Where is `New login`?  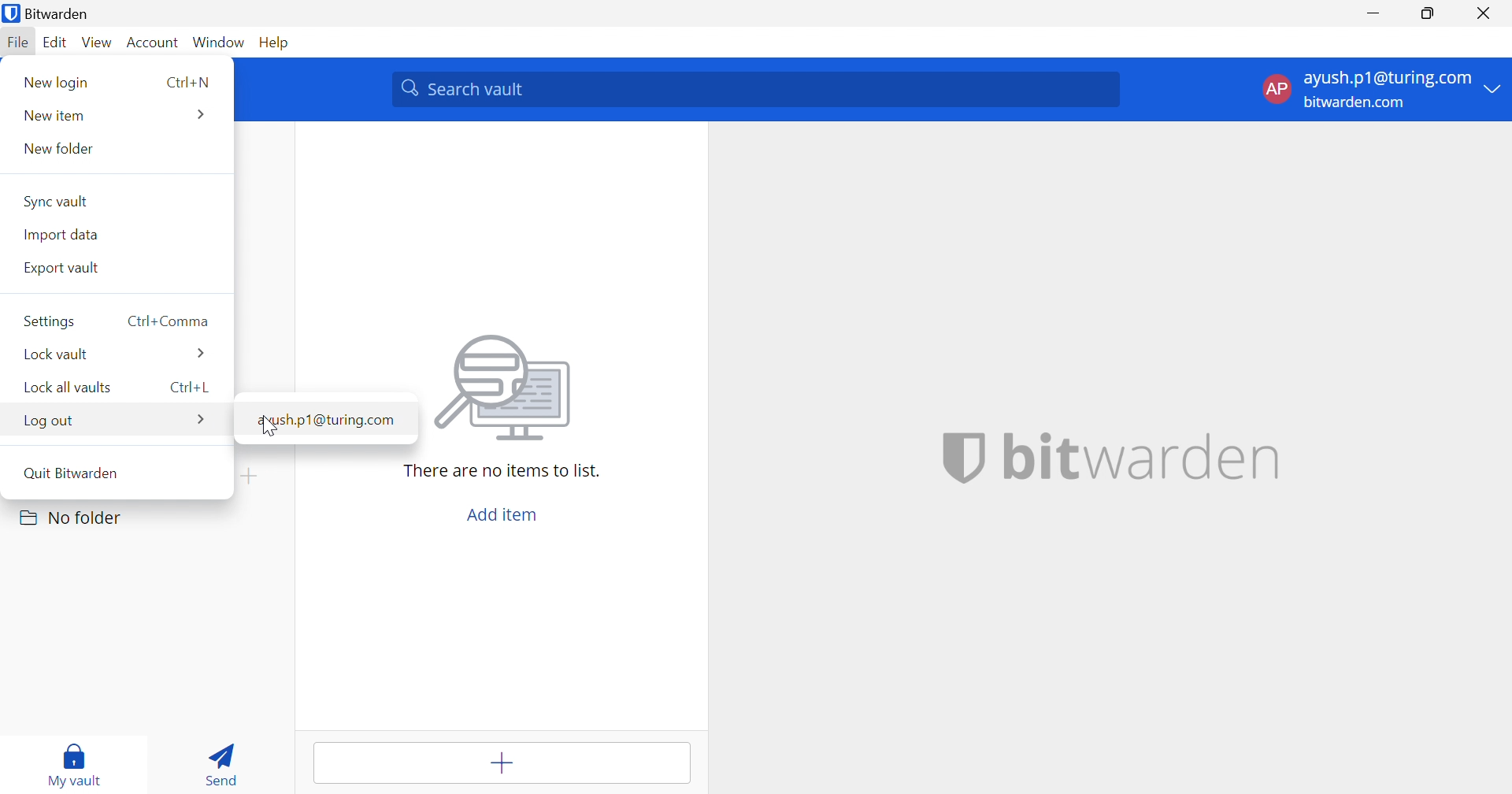
New login is located at coordinates (58, 83).